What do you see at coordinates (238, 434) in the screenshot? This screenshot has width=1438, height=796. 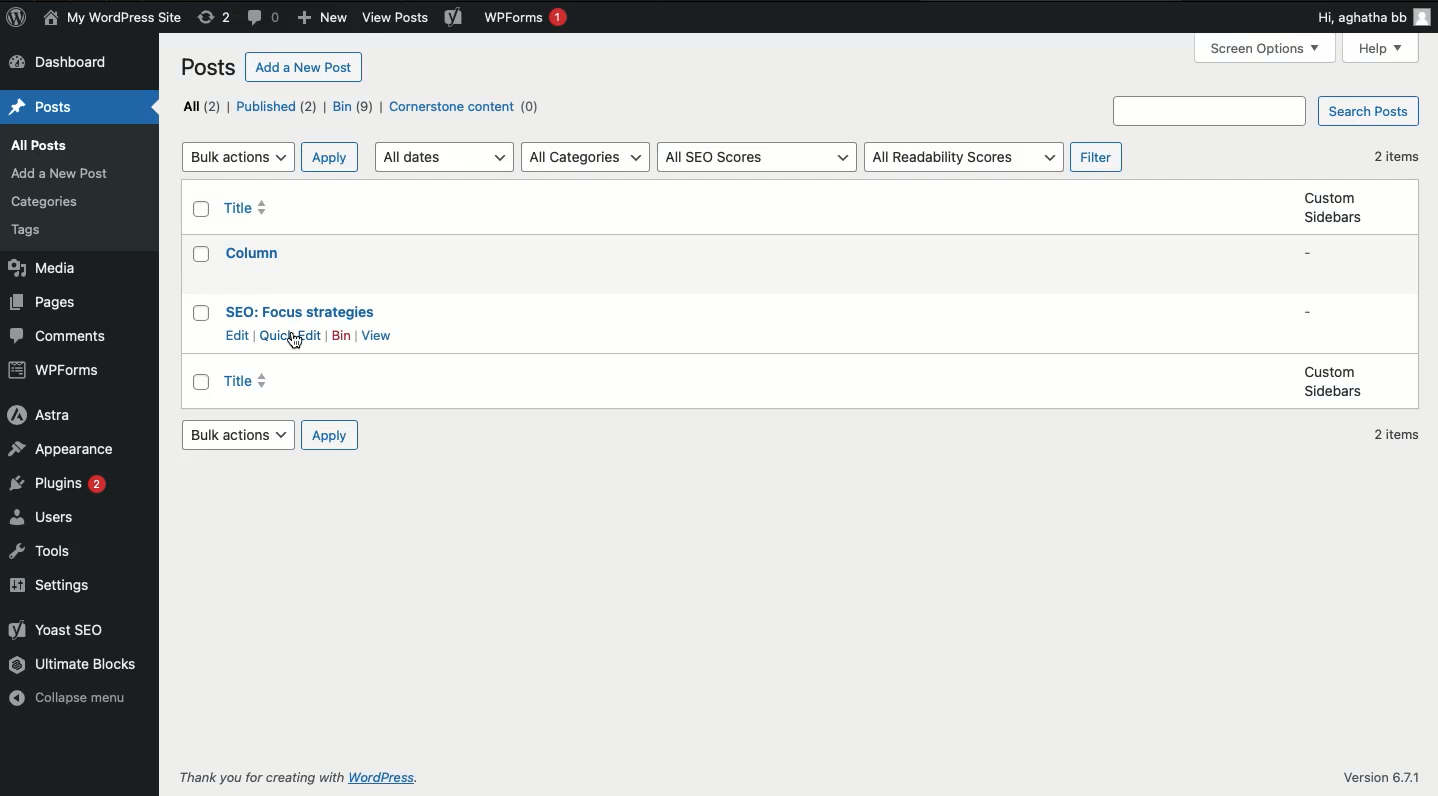 I see `Bulk actions` at bounding box center [238, 434].